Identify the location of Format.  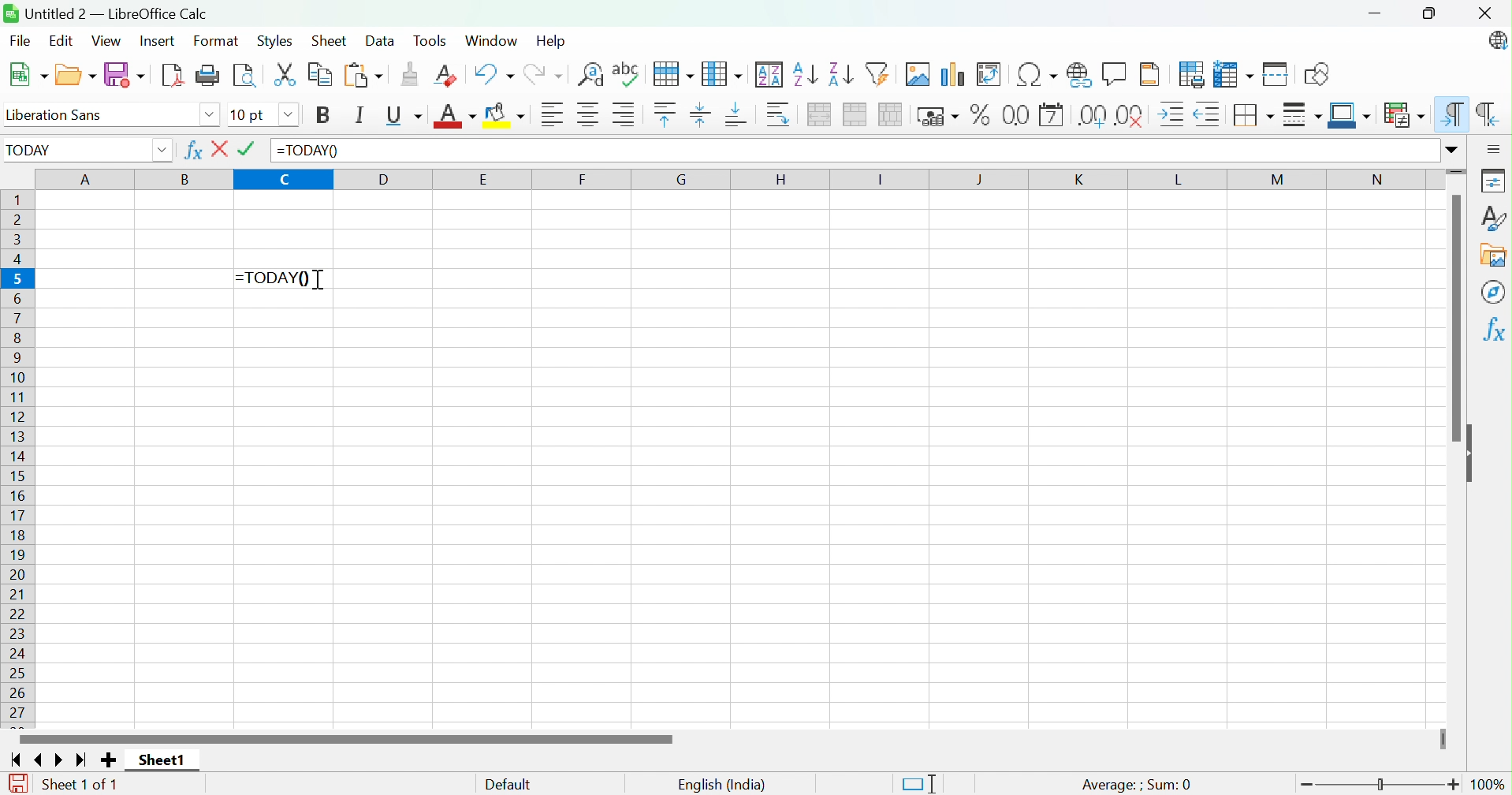
(218, 42).